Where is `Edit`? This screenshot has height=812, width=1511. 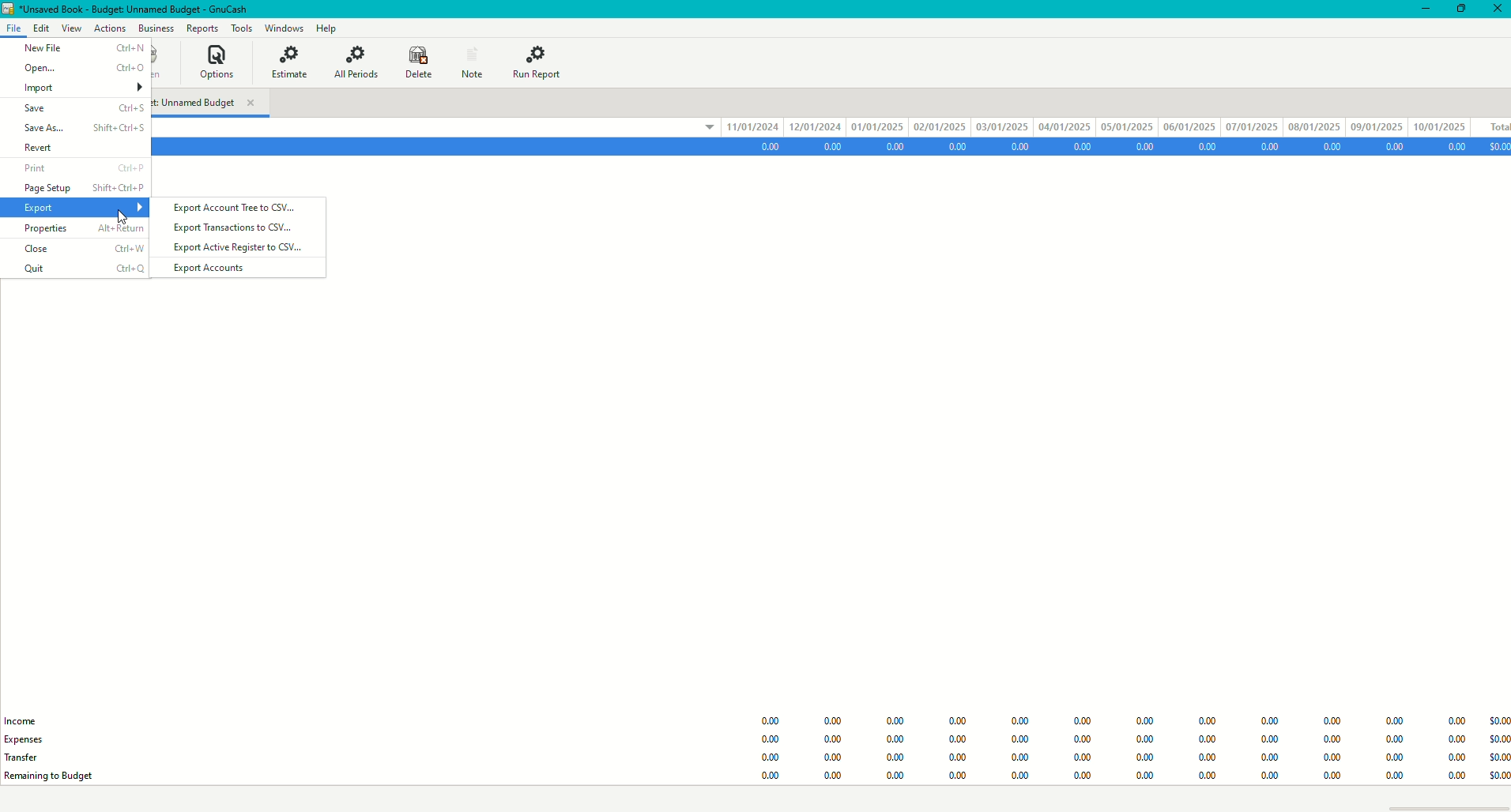 Edit is located at coordinates (41, 26).